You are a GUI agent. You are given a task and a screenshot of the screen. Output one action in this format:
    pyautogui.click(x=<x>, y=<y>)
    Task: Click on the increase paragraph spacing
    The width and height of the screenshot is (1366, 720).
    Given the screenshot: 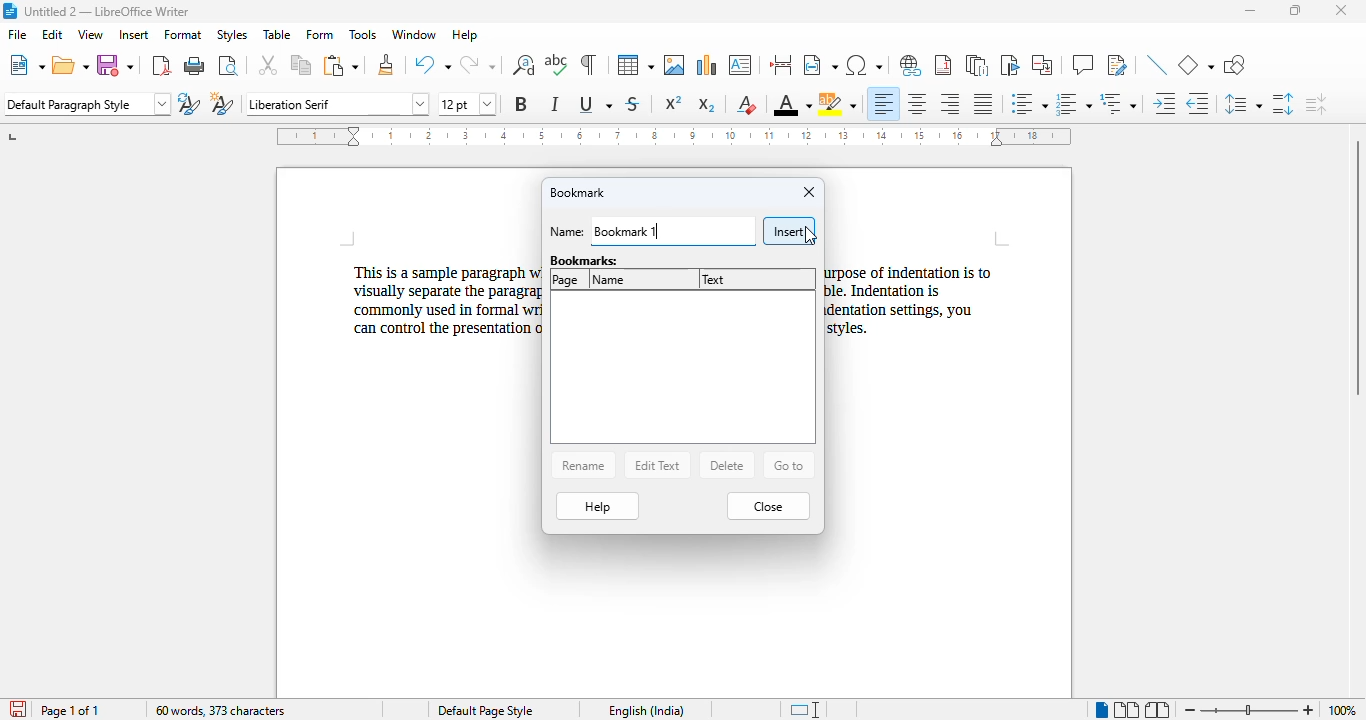 What is the action you would take?
    pyautogui.click(x=1283, y=104)
    